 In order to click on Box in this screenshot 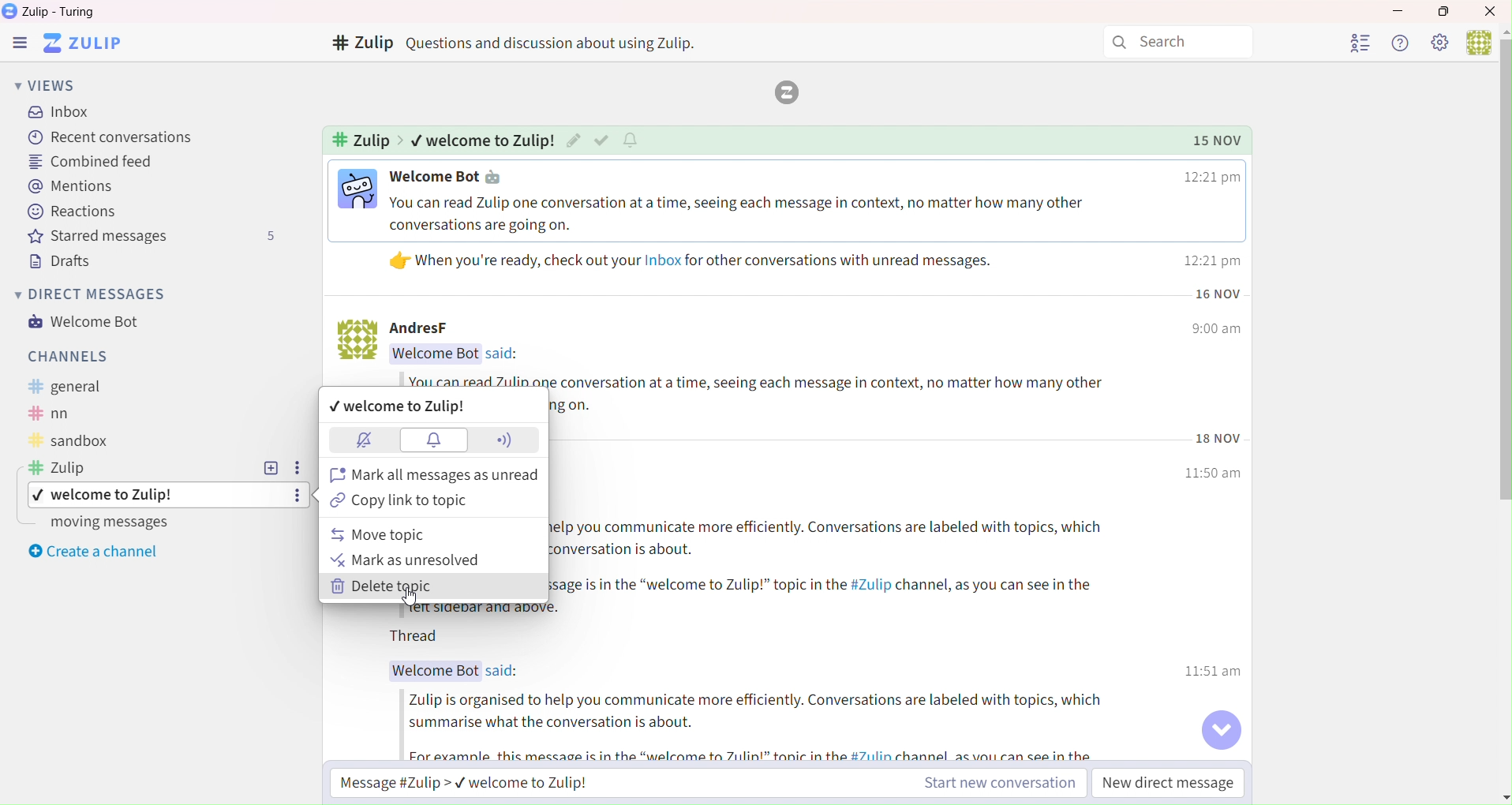, I will do `click(1446, 12)`.